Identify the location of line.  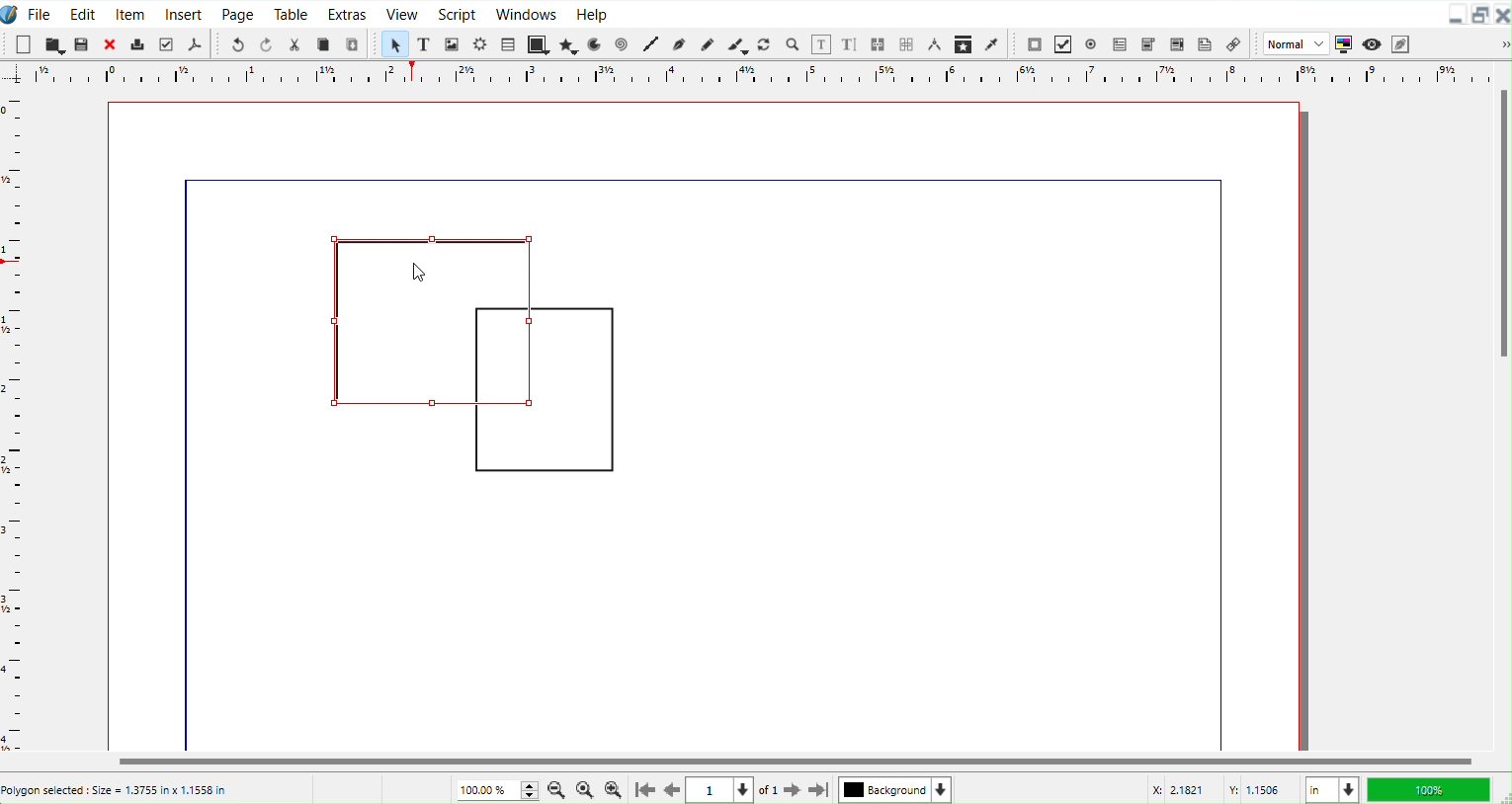
(474, 436).